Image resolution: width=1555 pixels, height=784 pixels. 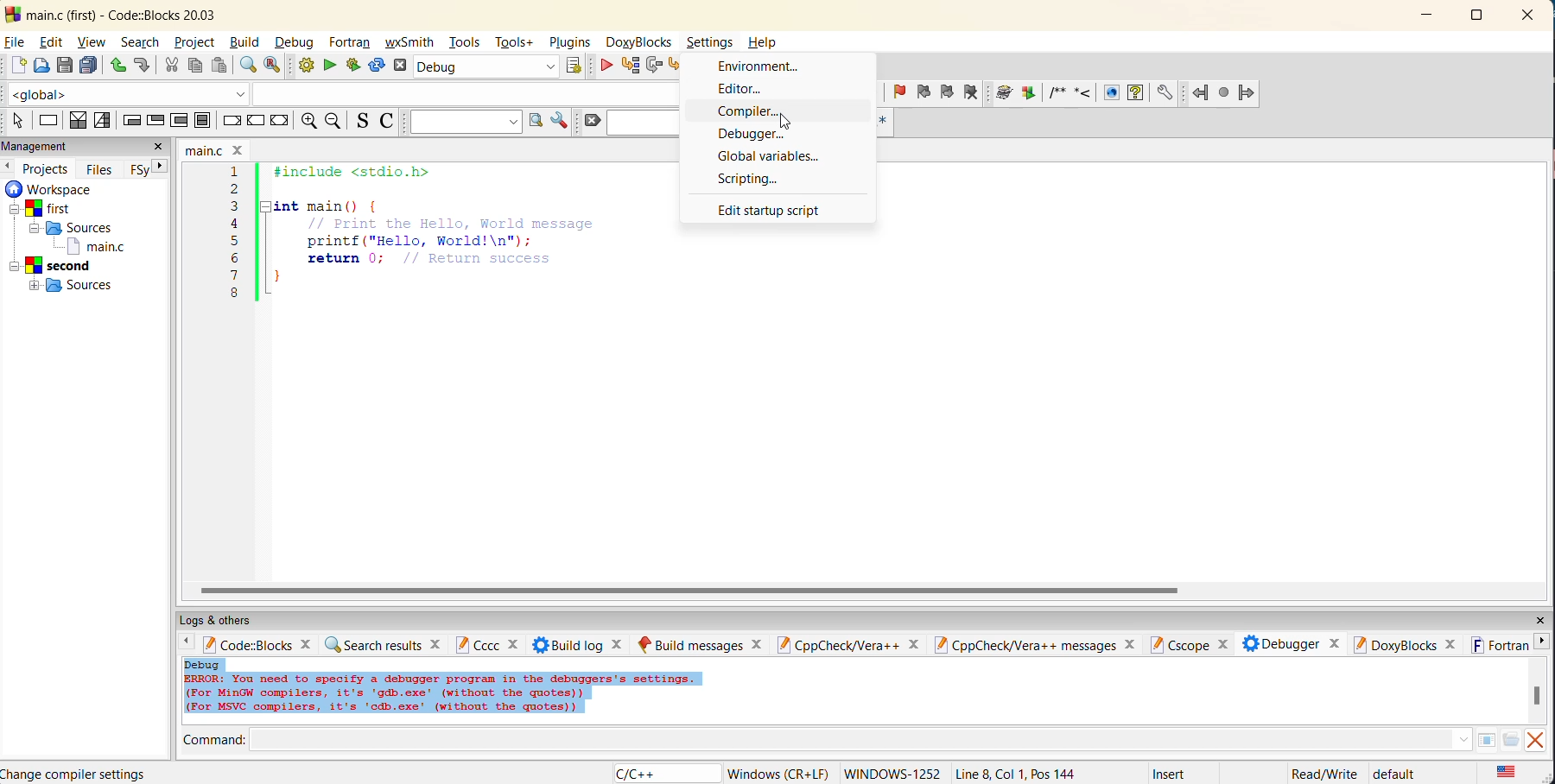 What do you see at coordinates (464, 121) in the screenshot?
I see `text to search` at bounding box center [464, 121].